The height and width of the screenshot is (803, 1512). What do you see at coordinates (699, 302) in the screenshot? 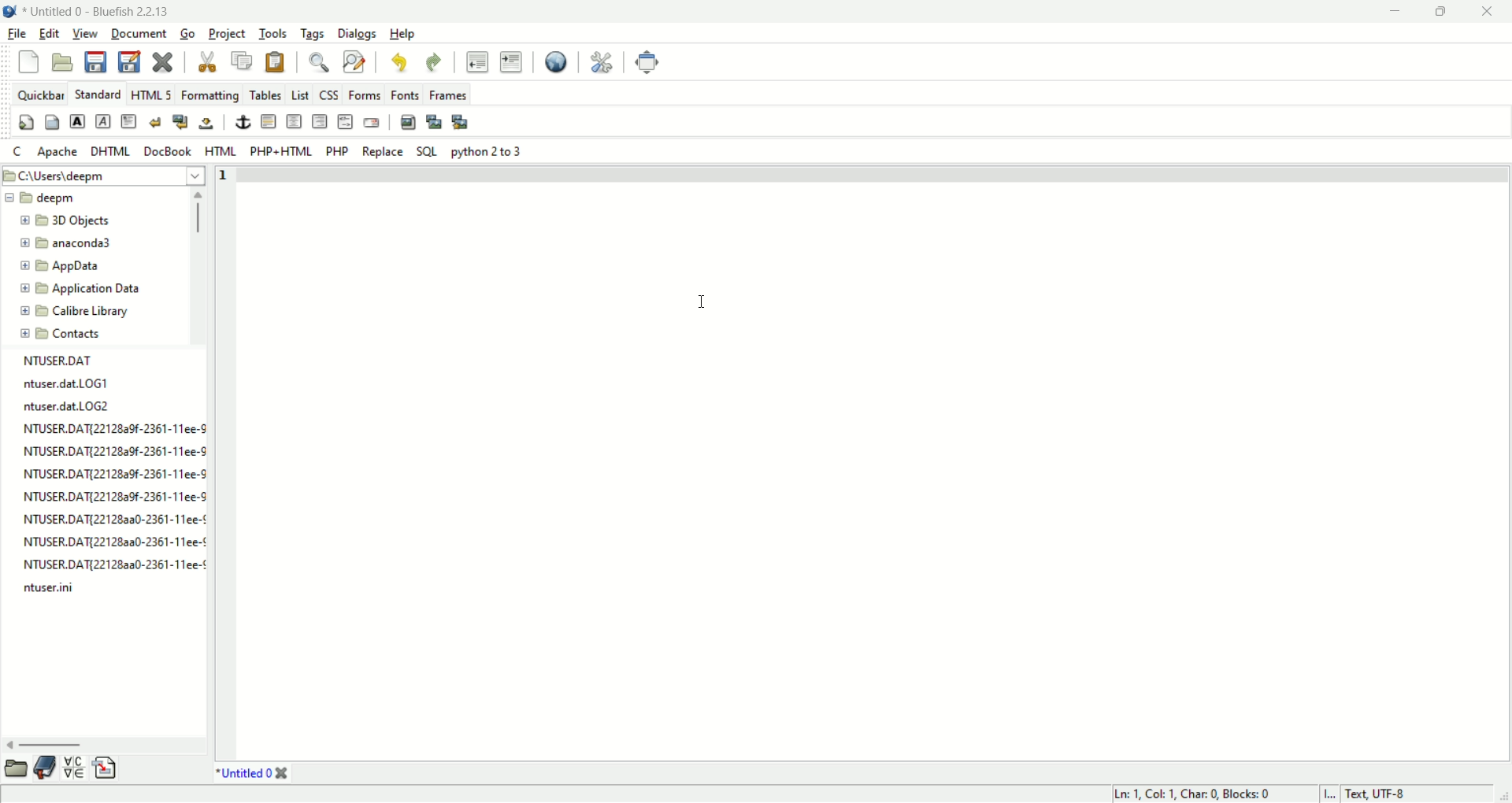
I see `cursor` at bounding box center [699, 302].